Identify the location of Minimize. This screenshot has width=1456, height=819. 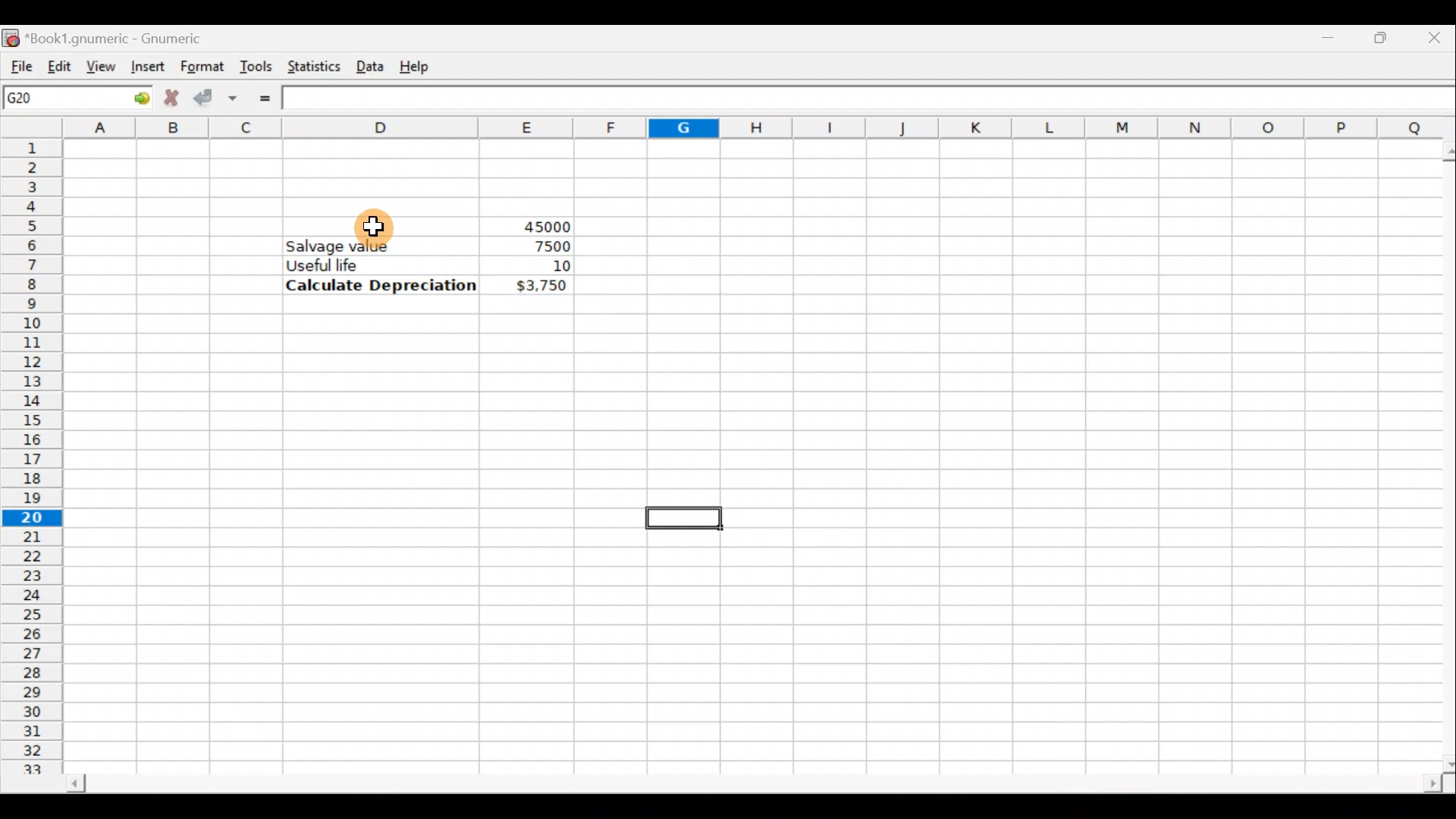
(1326, 36).